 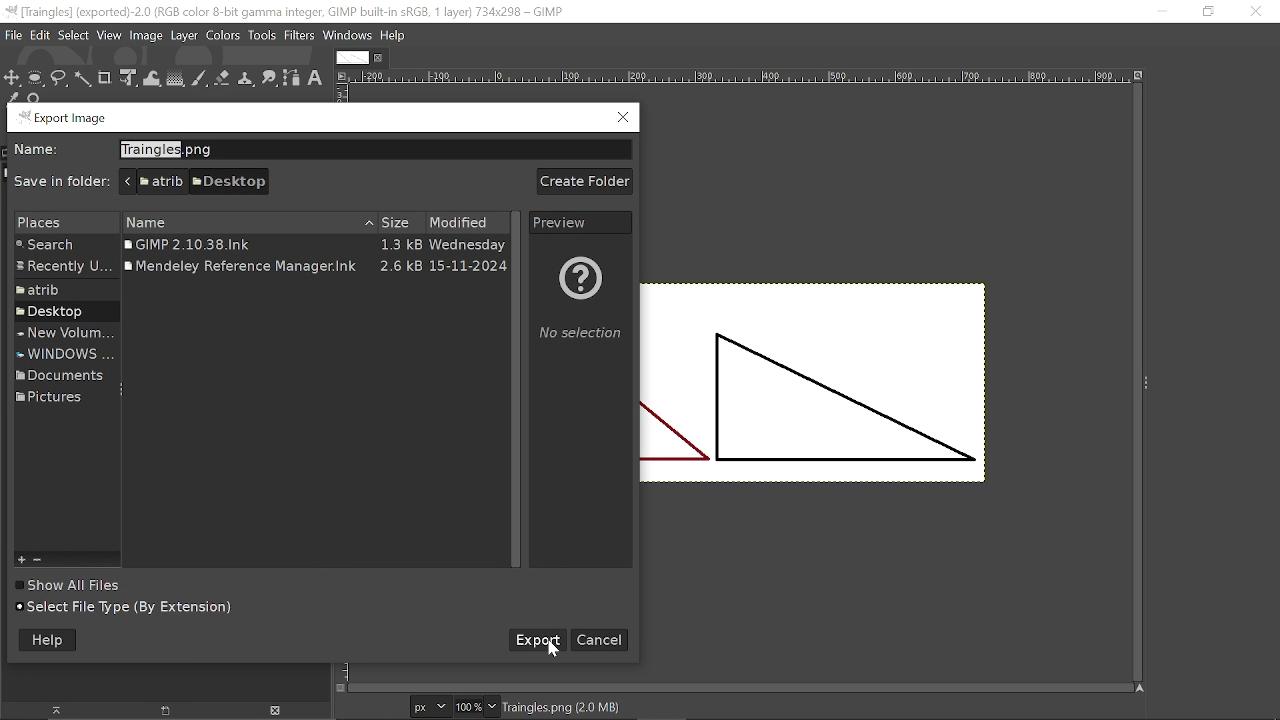 What do you see at coordinates (373, 150) in the screenshot?
I see `name of the file` at bounding box center [373, 150].